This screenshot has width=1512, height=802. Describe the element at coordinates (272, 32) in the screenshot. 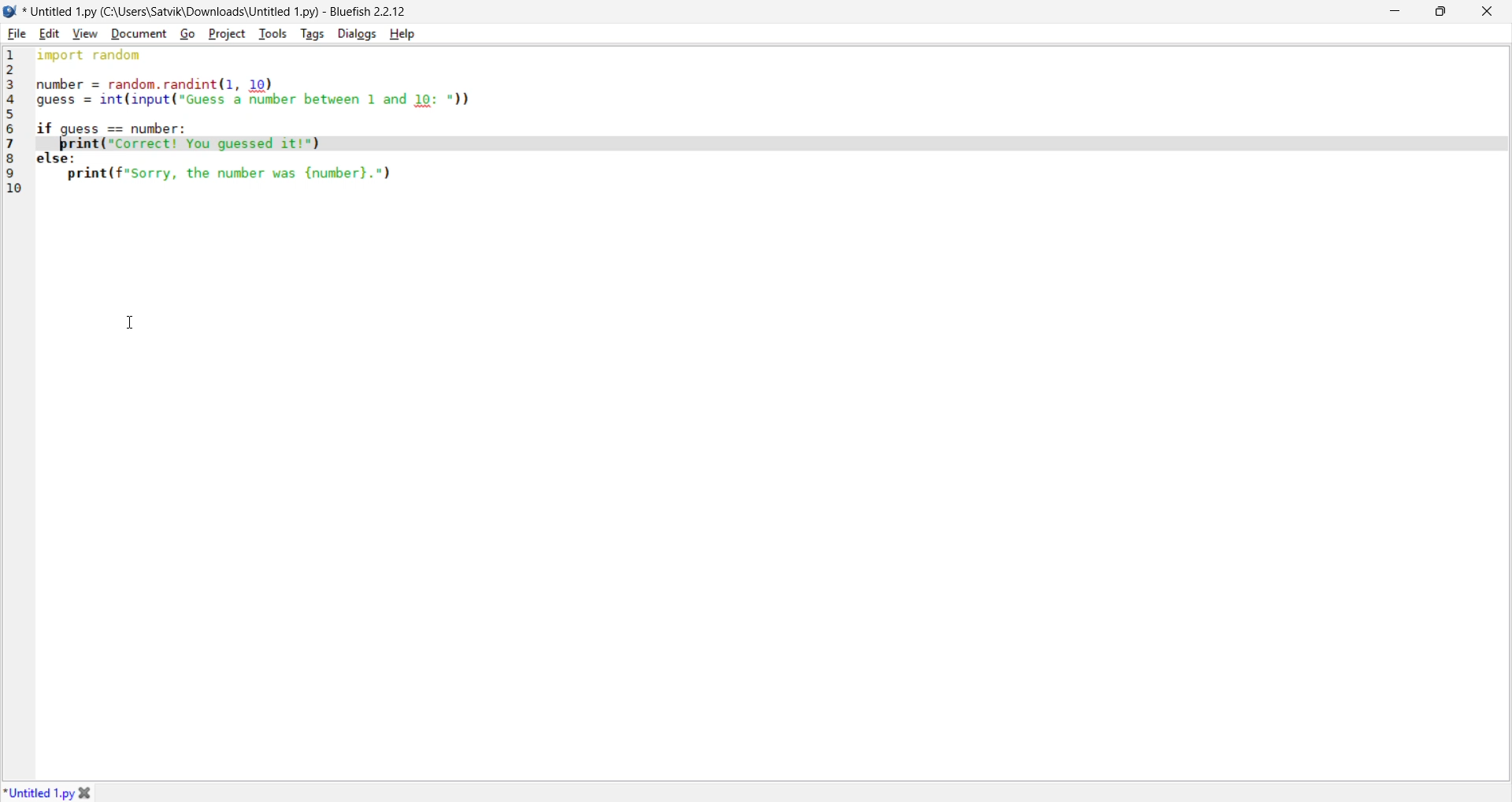

I see `tools` at that location.